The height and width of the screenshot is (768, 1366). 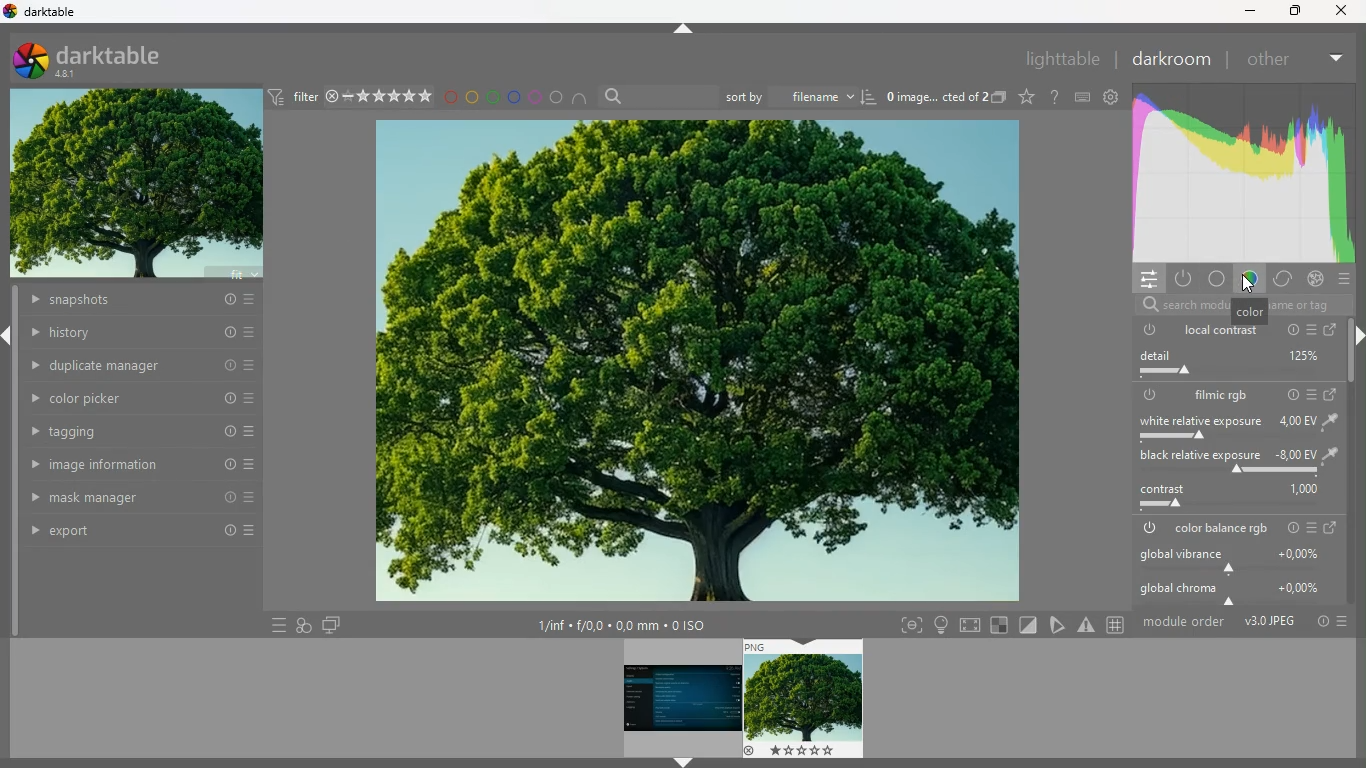 I want to click on frame, so click(x=907, y=626).